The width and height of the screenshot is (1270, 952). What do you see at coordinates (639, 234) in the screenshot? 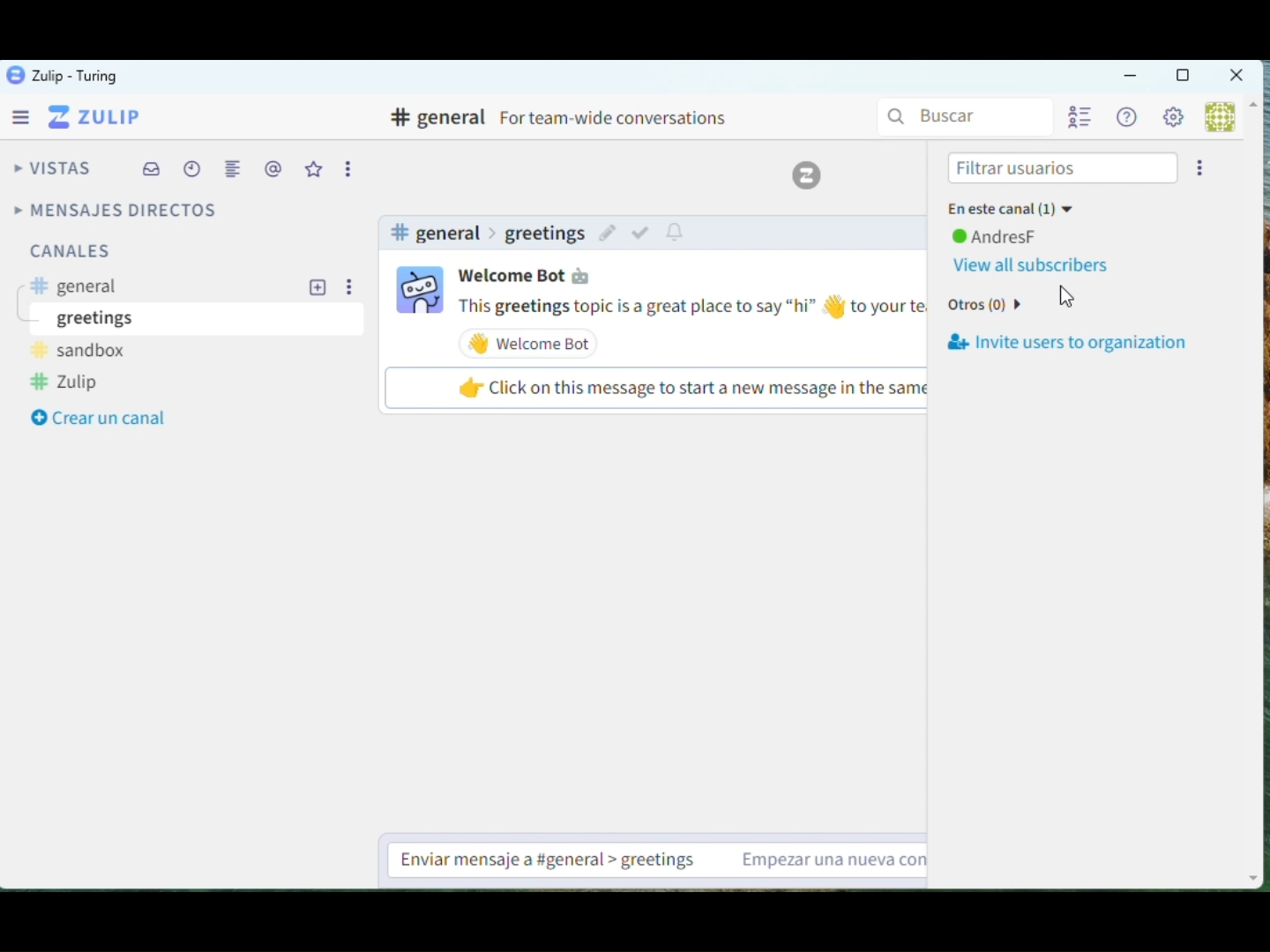
I see `mark` at bounding box center [639, 234].